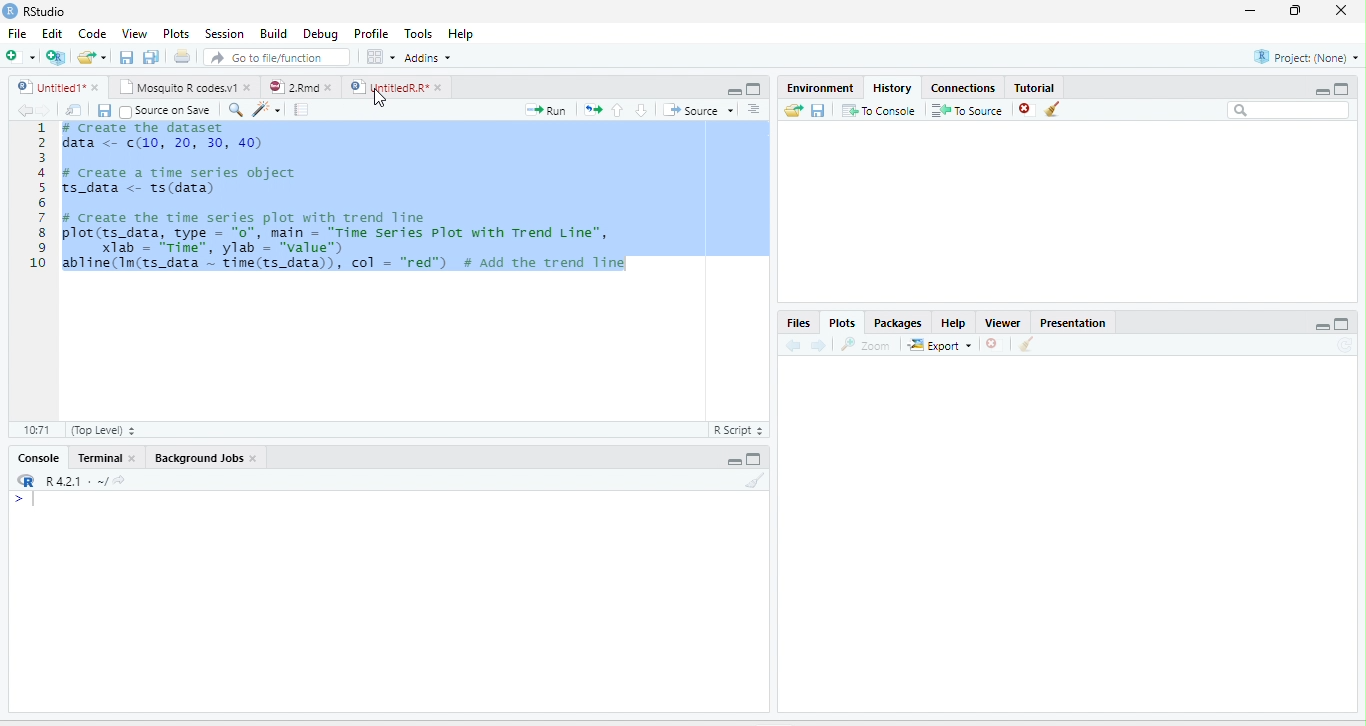  What do you see at coordinates (236, 110) in the screenshot?
I see `Find/Replace` at bounding box center [236, 110].